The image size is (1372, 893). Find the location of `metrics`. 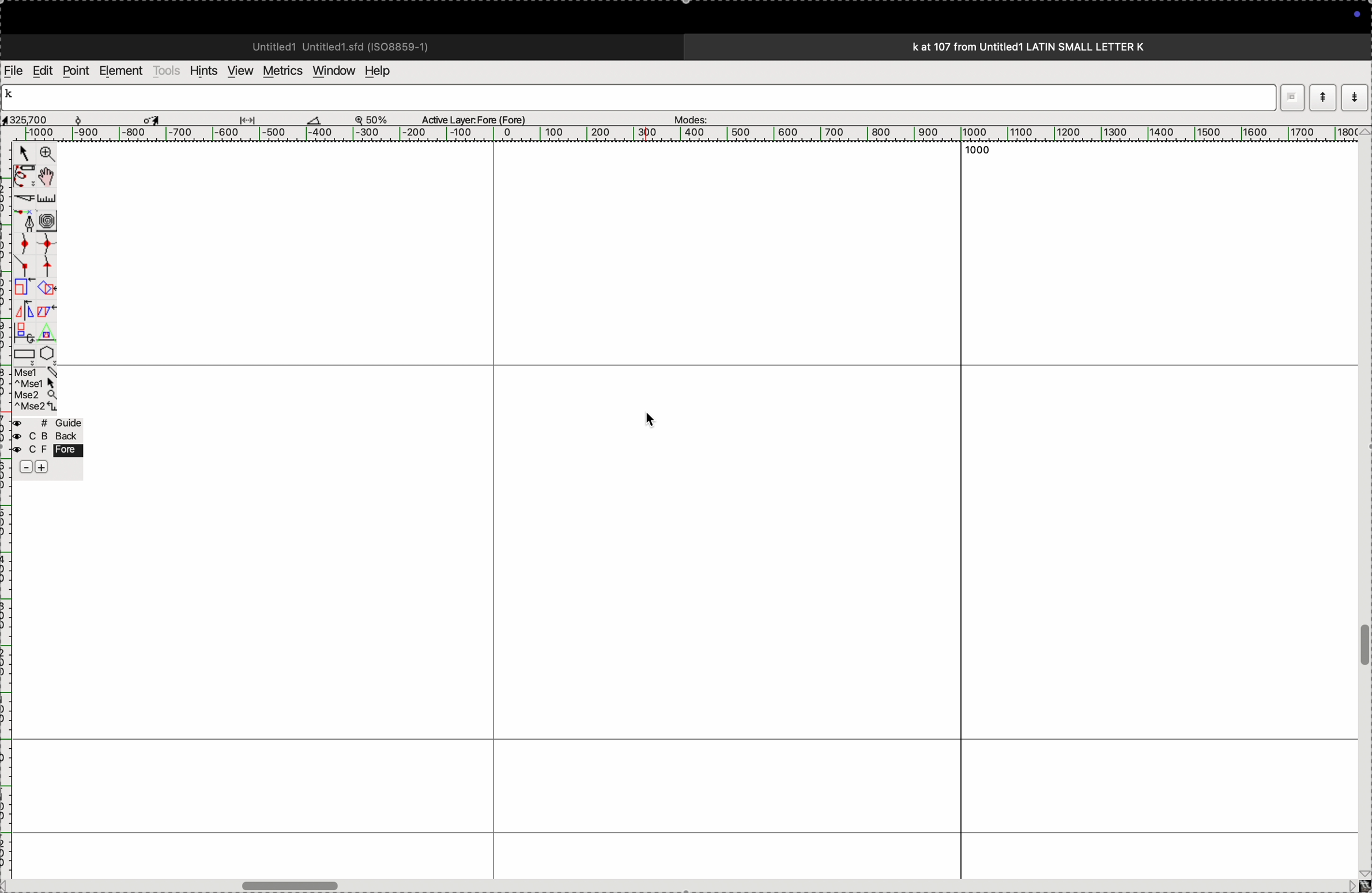

metrics is located at coordinates (281, 71).